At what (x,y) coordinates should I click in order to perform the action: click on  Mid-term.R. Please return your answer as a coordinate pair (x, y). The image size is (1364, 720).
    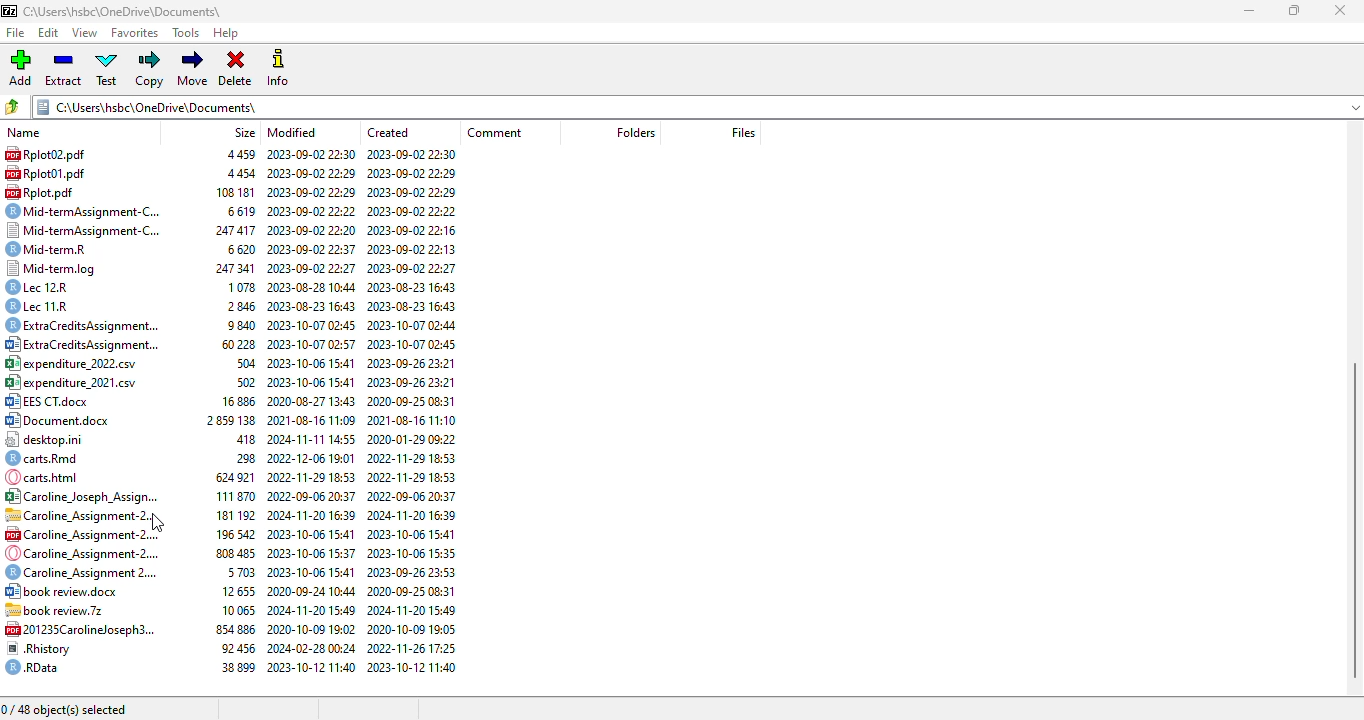
    Looking at the image, I should click on (59, 247).